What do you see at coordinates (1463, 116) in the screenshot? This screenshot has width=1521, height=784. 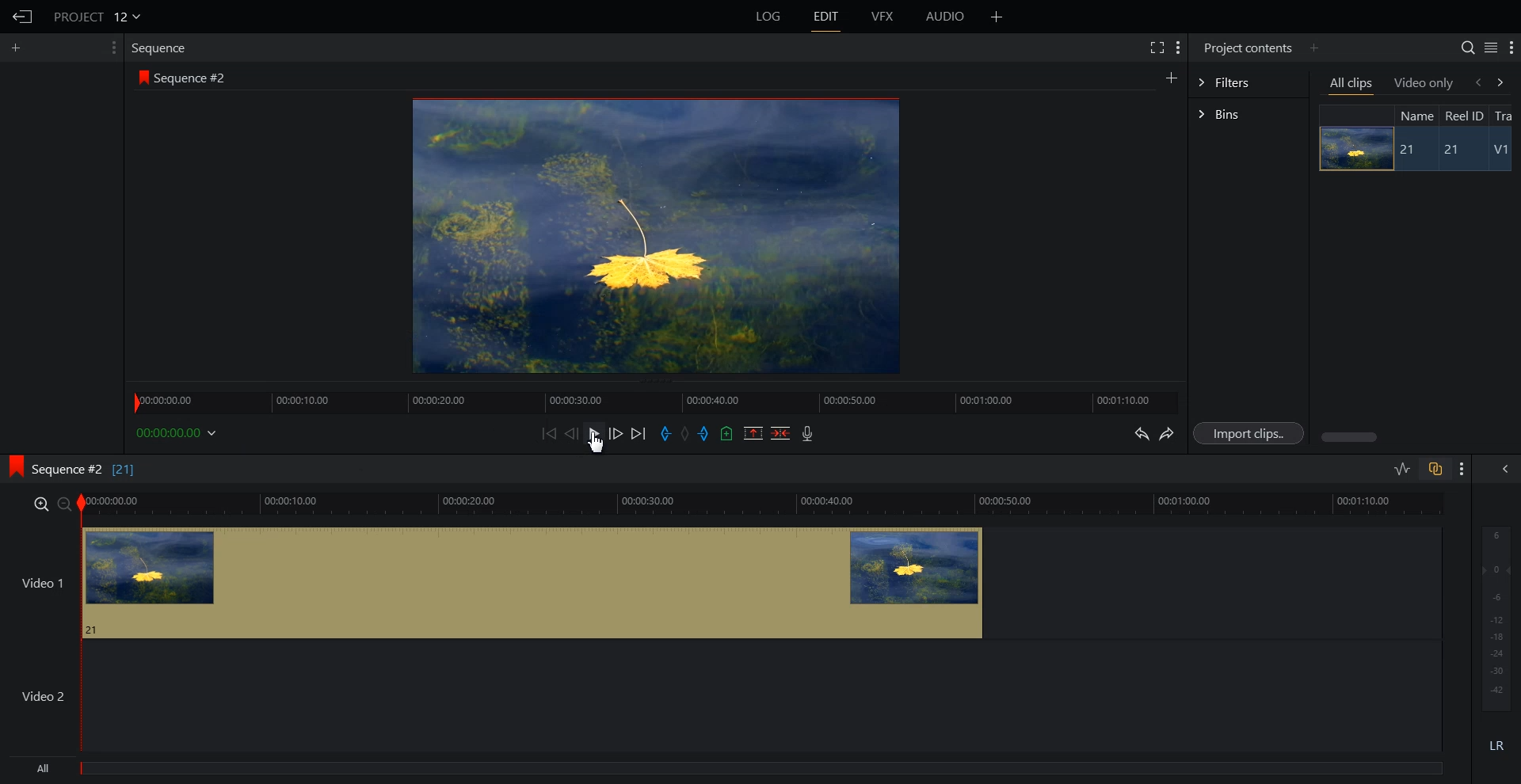 I see `Reel ID` at bounding box center [1463, 116].